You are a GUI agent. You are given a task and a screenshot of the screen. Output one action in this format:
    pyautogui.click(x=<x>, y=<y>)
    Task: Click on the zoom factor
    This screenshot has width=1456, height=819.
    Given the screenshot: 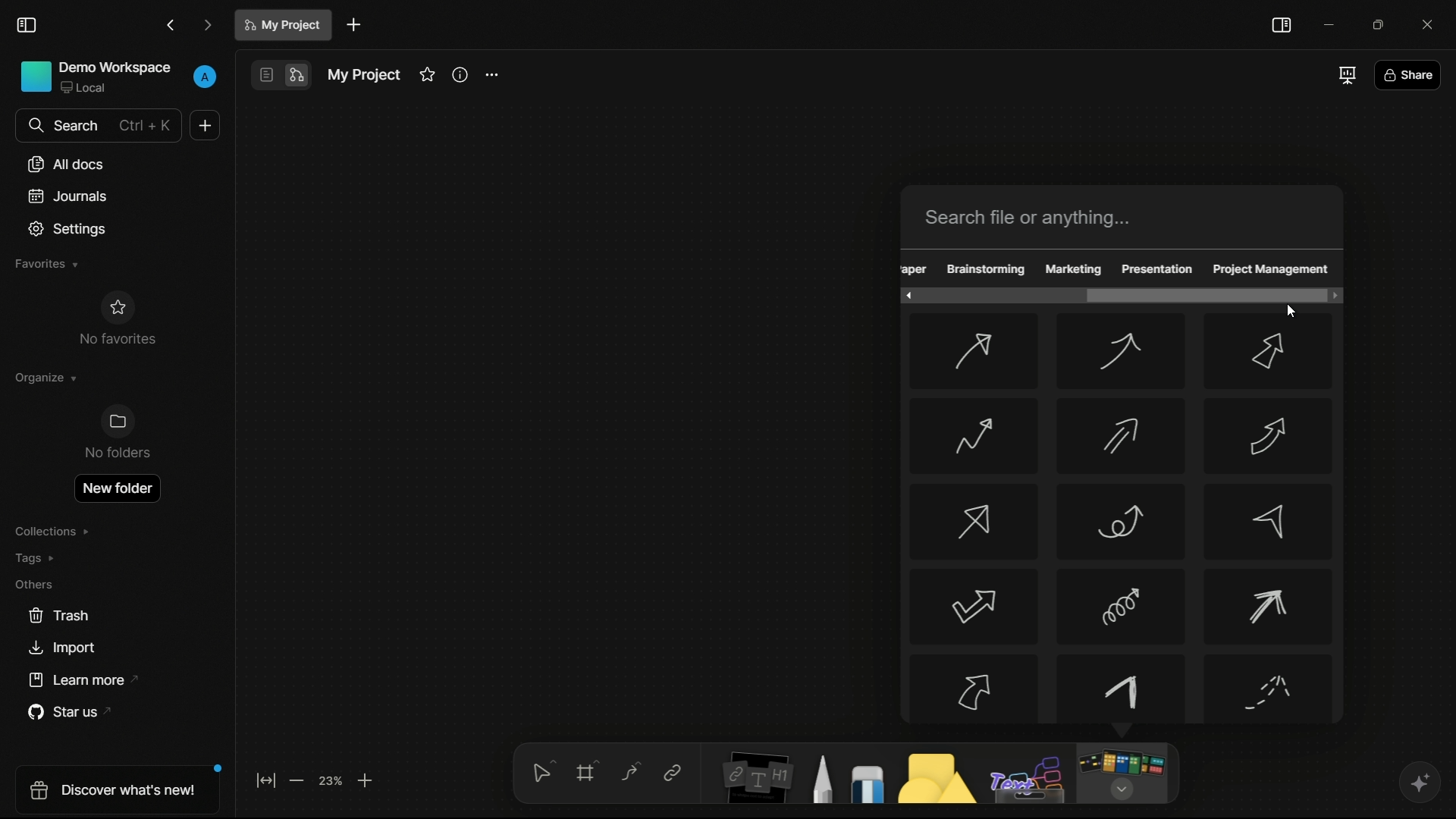 What is the action you would take?
    pyautogui.click(x=331, y=780)
    